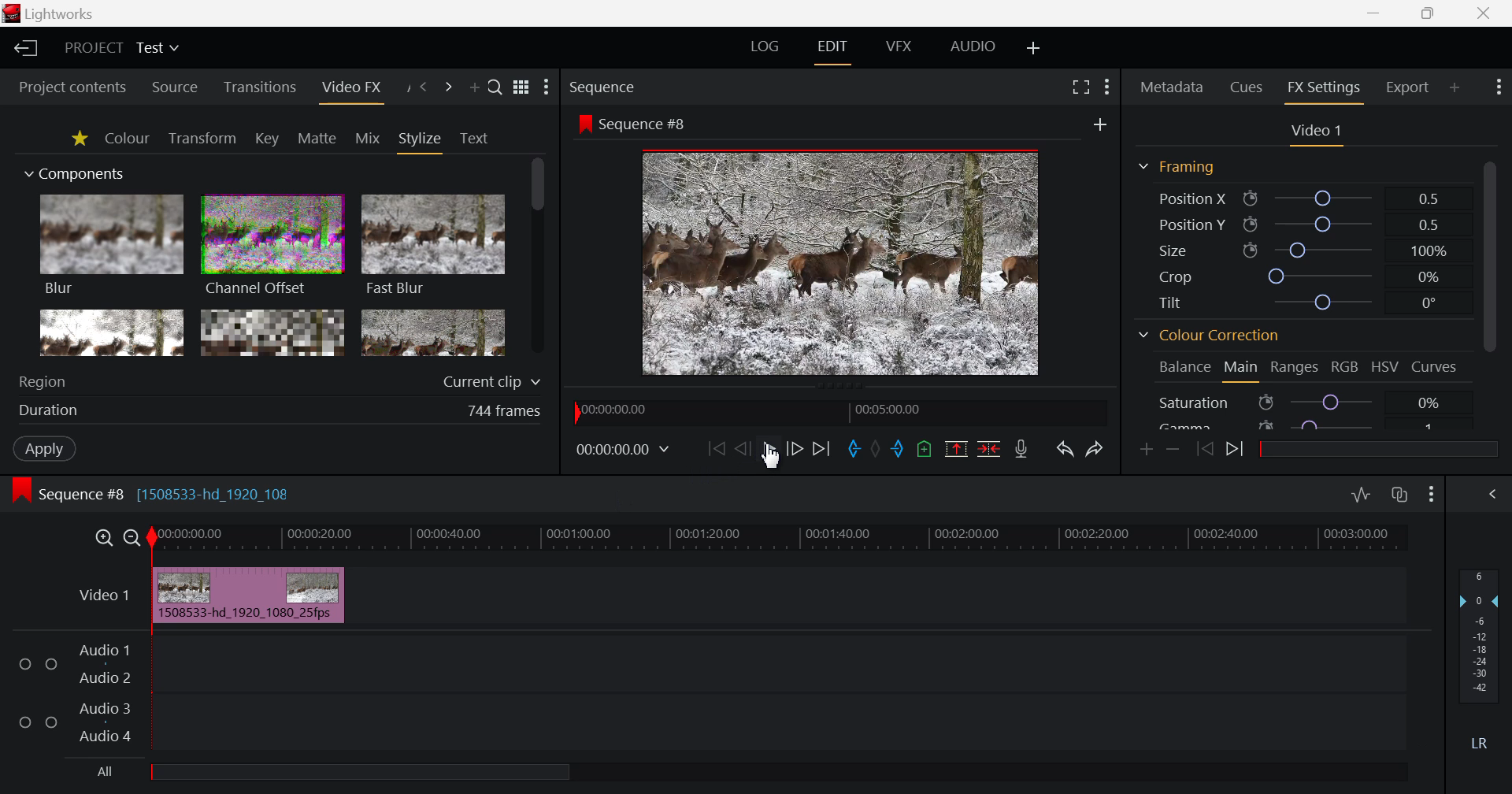  What do you see at coordinates (113, 247) in the screenshot?
I see `Blur` at bounding box center [113, 247].